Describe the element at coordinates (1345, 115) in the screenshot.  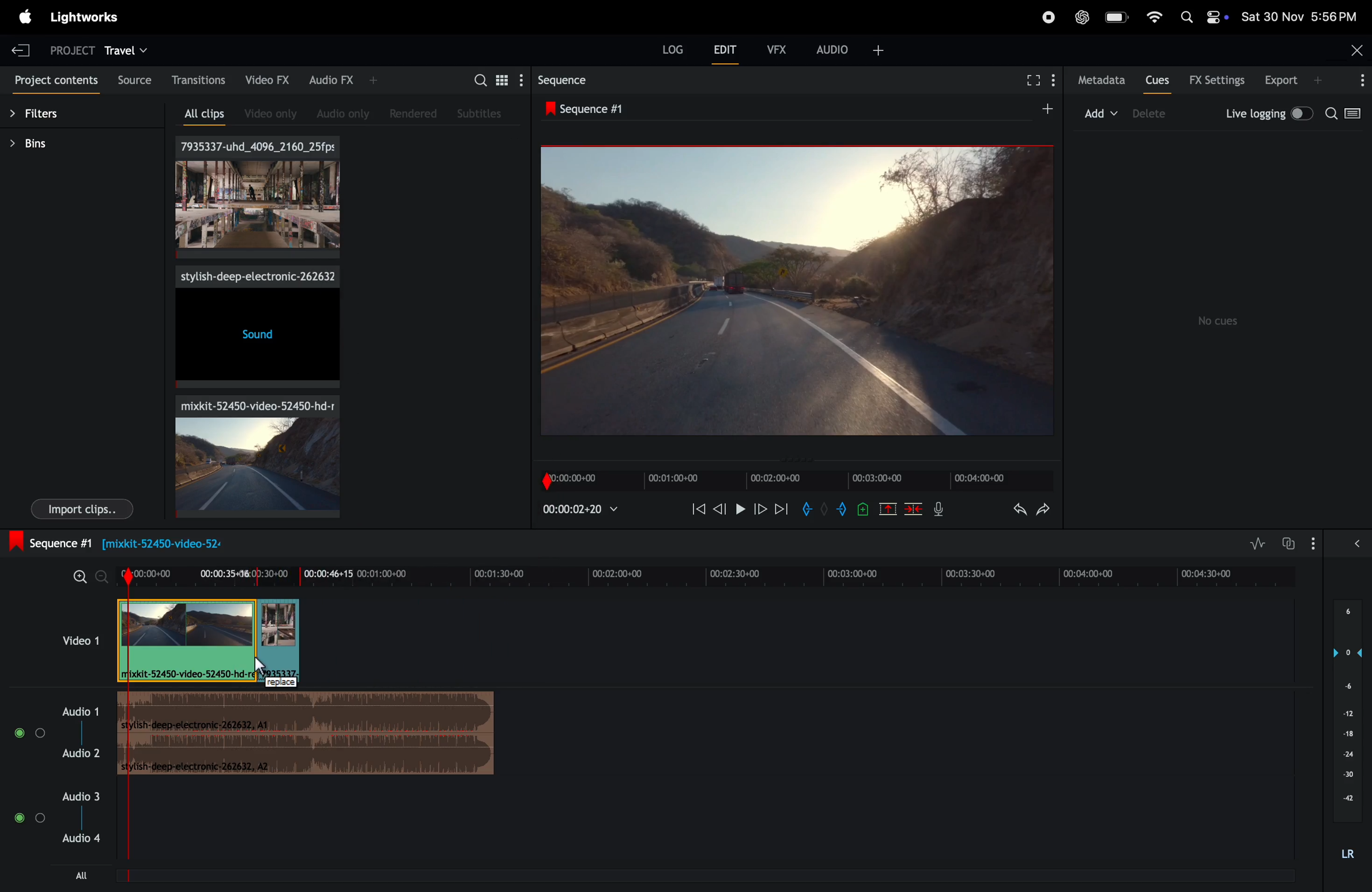
I see `search` at that location.